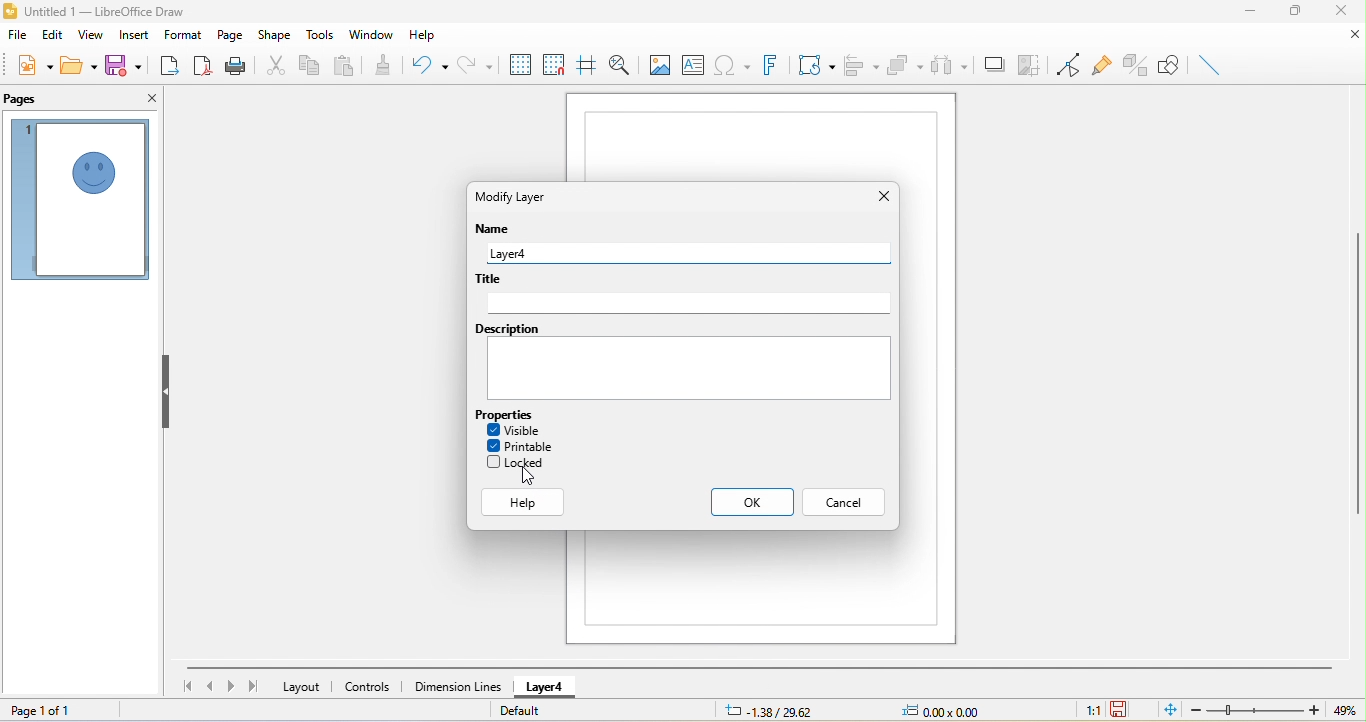 Image resolution: width=1366 pixels, height=722 pixels. What do you see at coordinates (1257, 13) in the screenshot?
I see `minimize` at bounding box center [1257, 13].